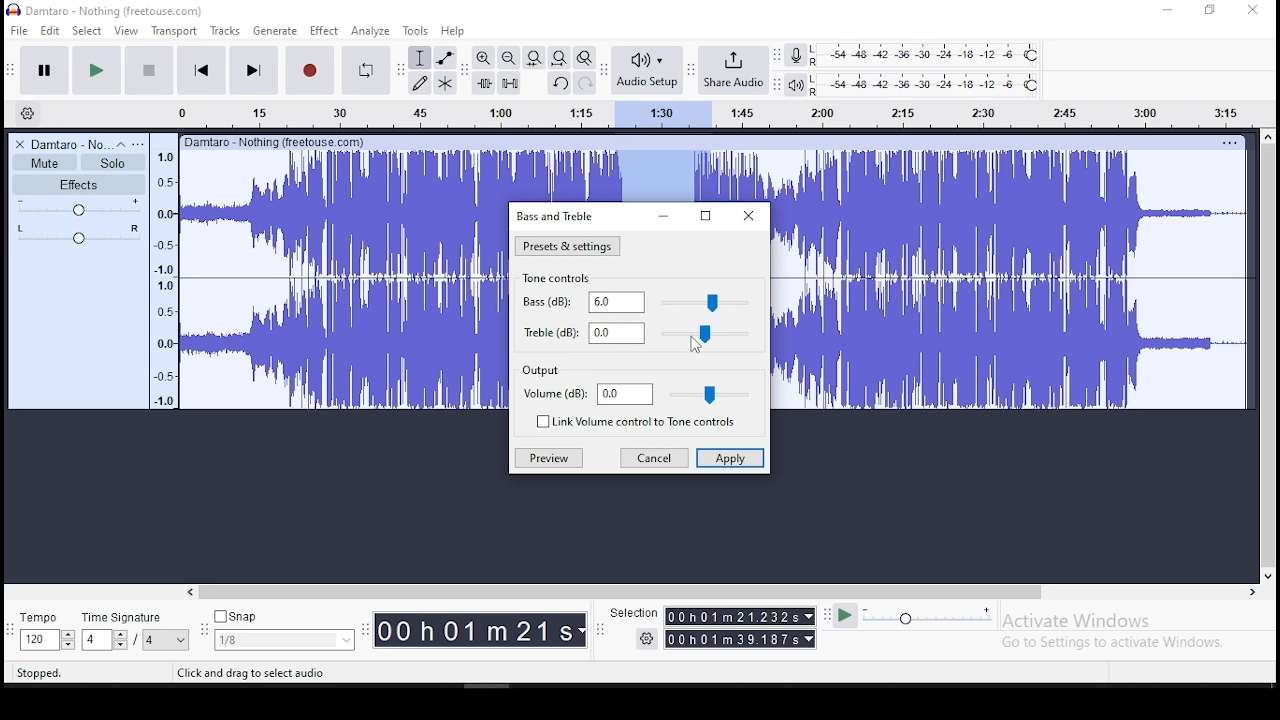 The image size is (1280, 720). I want to click on skip to start, so click(202, 69).